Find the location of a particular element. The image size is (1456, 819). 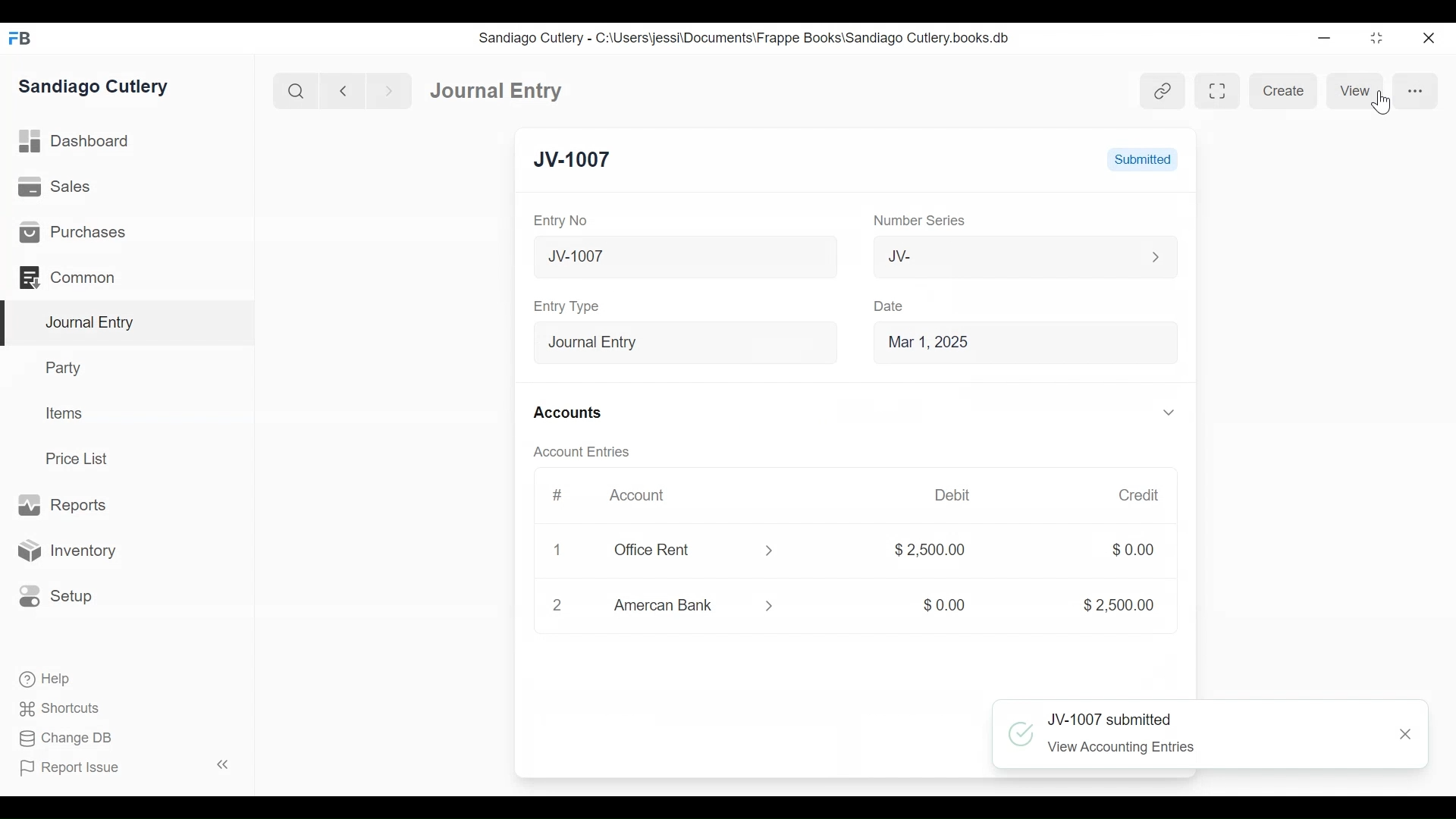

office rent is located at coordinates (689, 551).